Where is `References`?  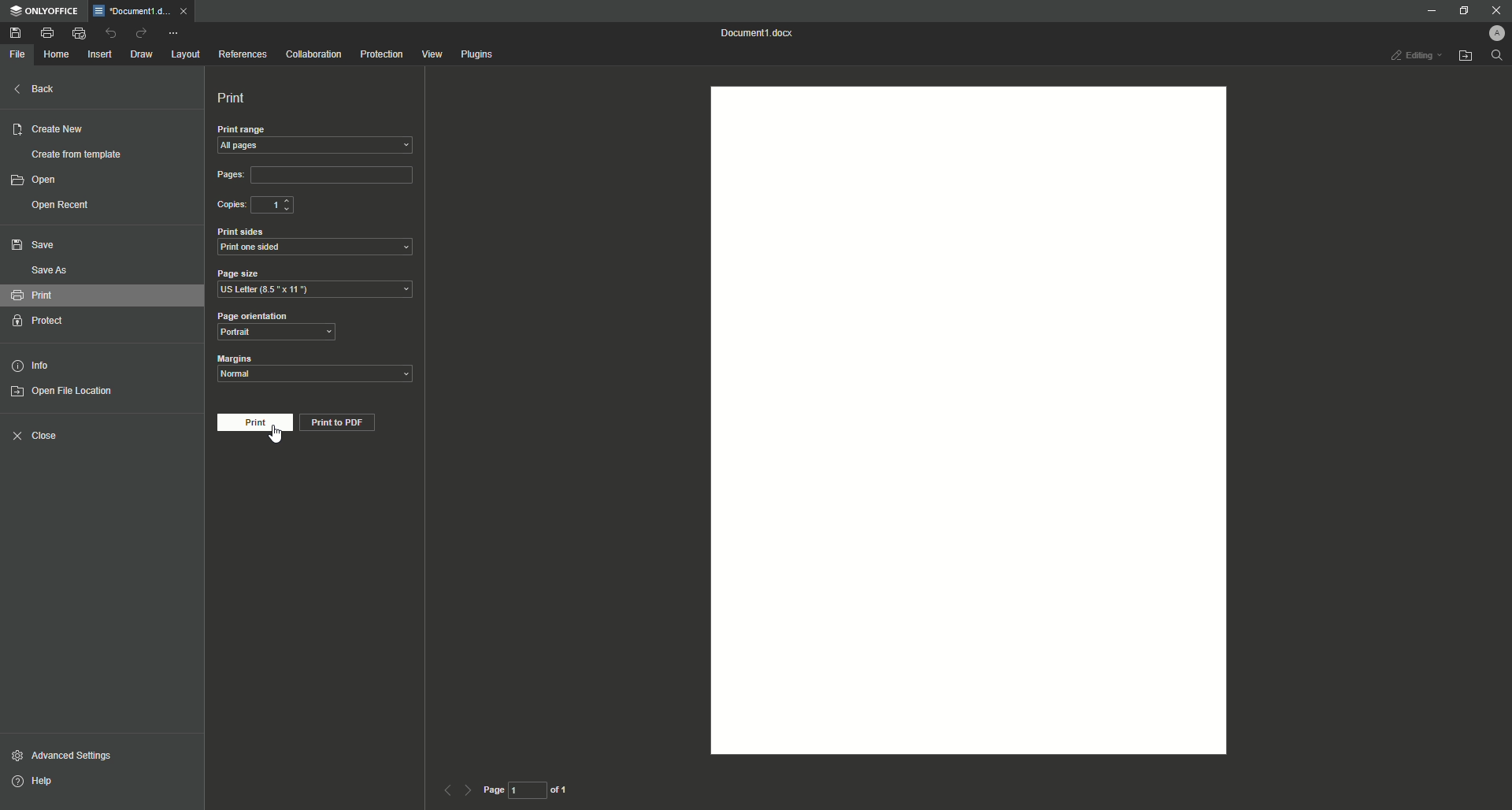 References is located at coordinates (243, 54).